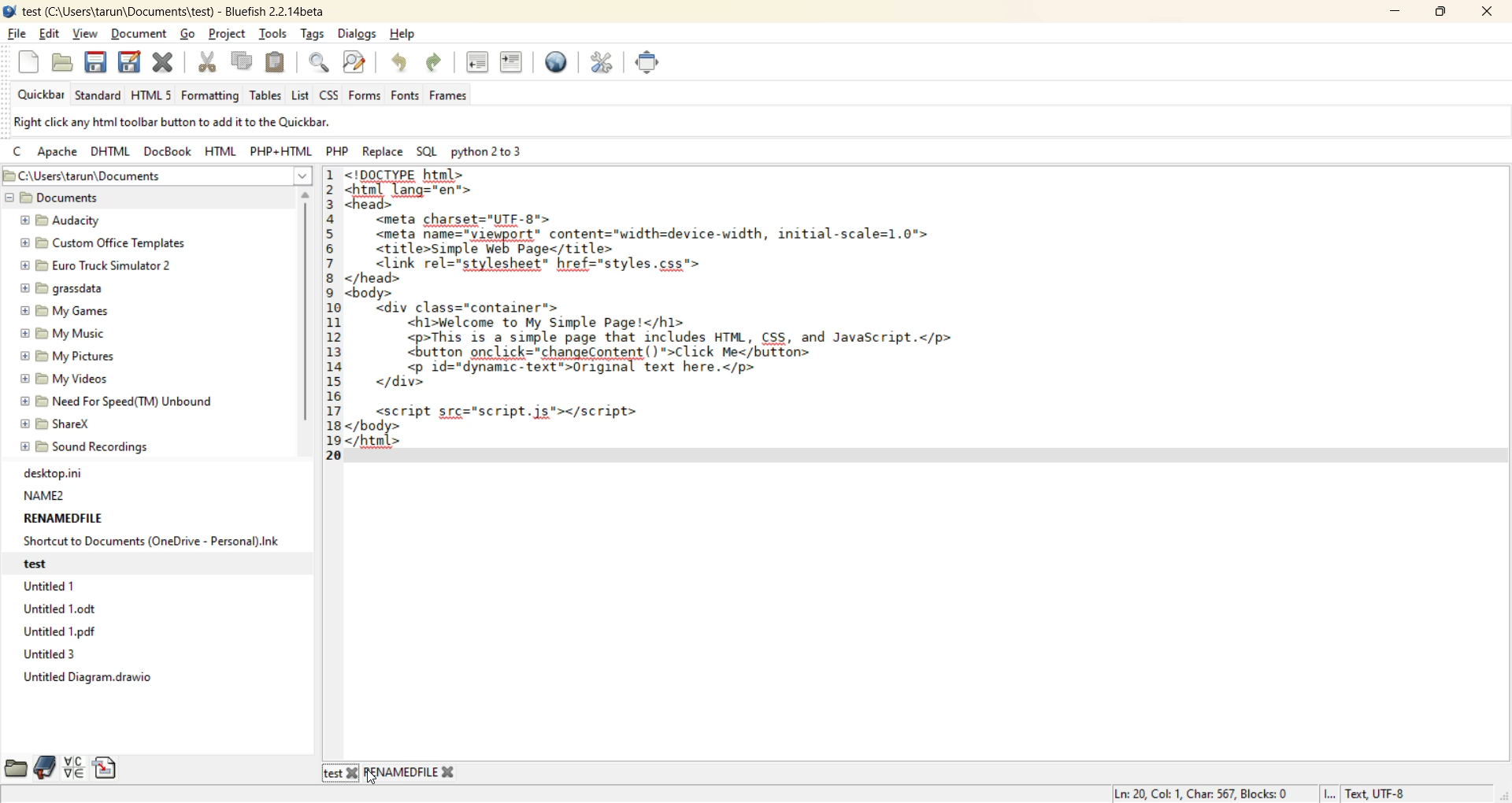  I want to click on code editor, so click(683, 316).